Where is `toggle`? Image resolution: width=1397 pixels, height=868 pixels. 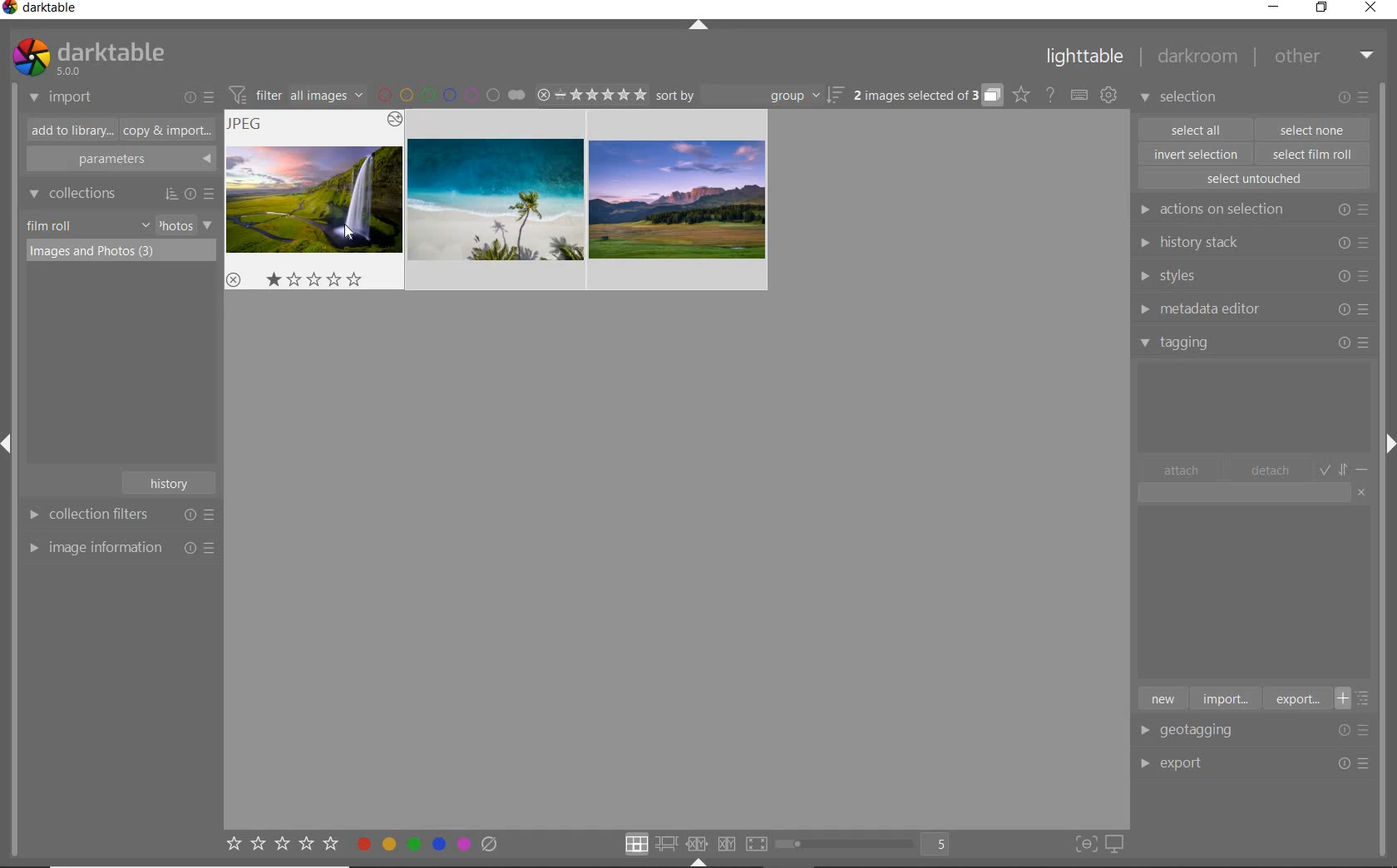 toggle is located at coordinates (1345, 468).